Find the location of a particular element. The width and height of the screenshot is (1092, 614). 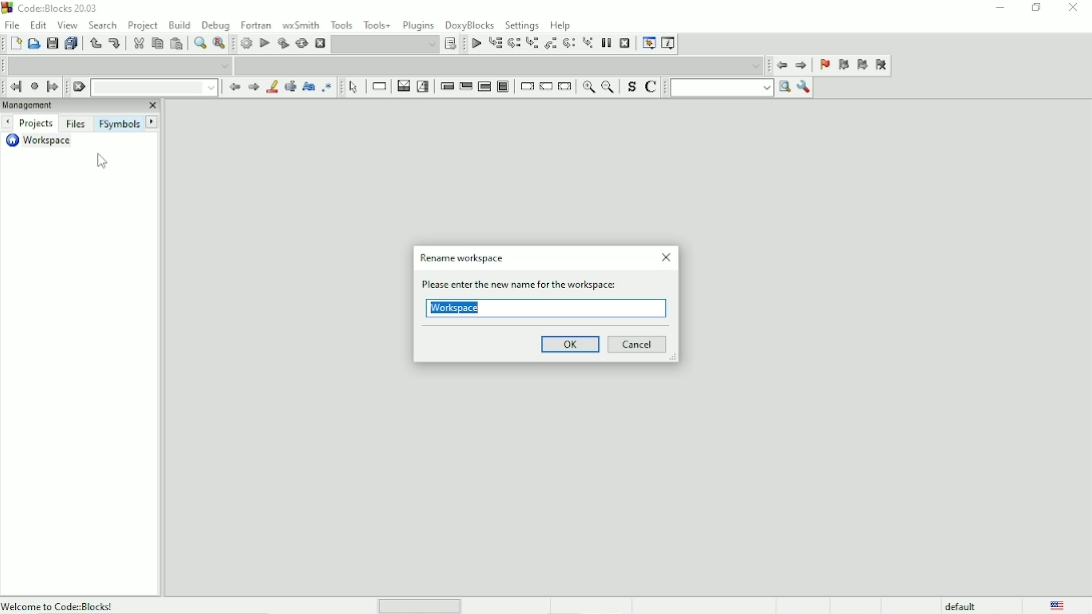

Plugins is located at coordinates (419, 24).